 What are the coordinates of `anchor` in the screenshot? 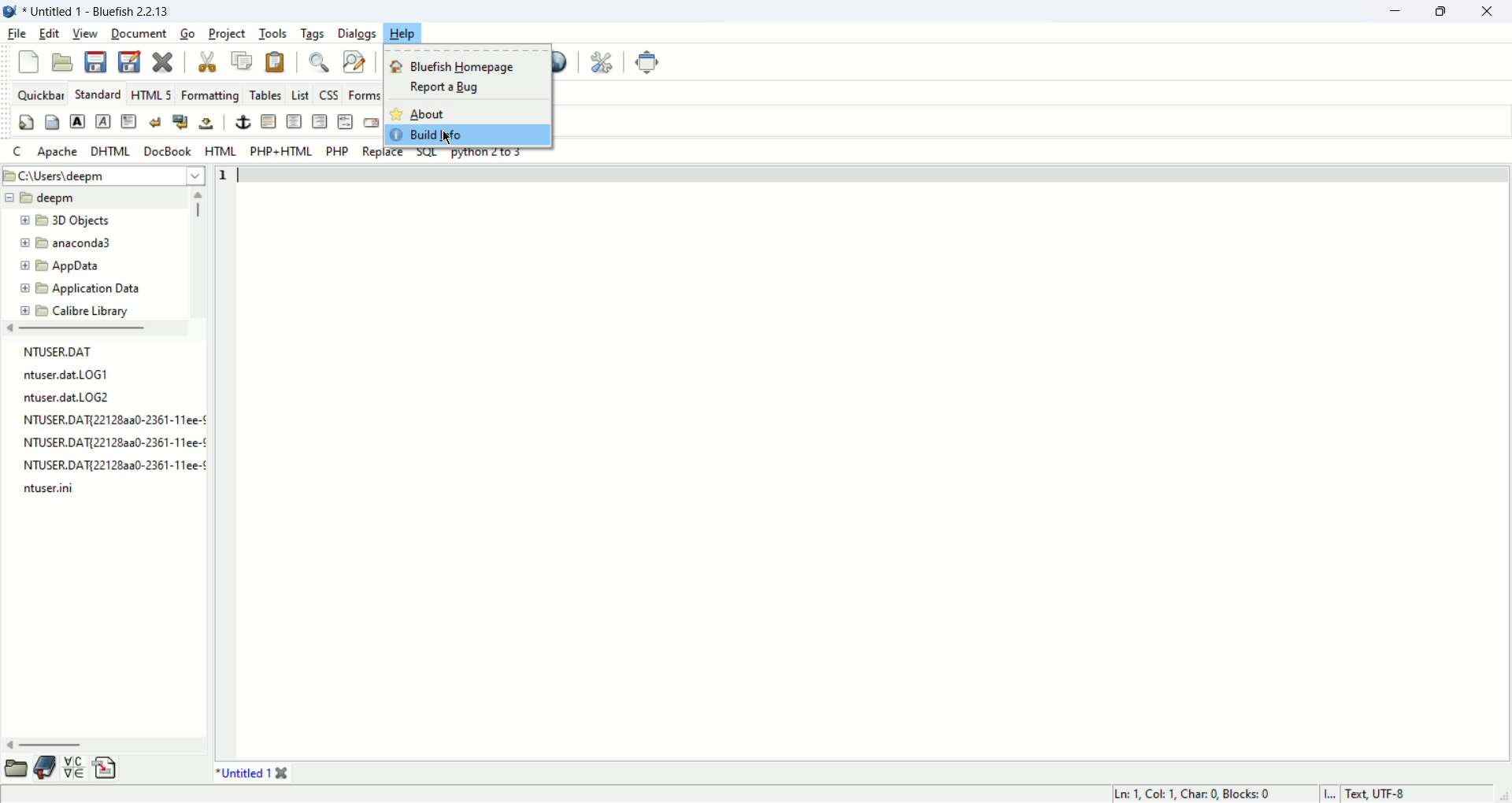 It's located at (243, 123).